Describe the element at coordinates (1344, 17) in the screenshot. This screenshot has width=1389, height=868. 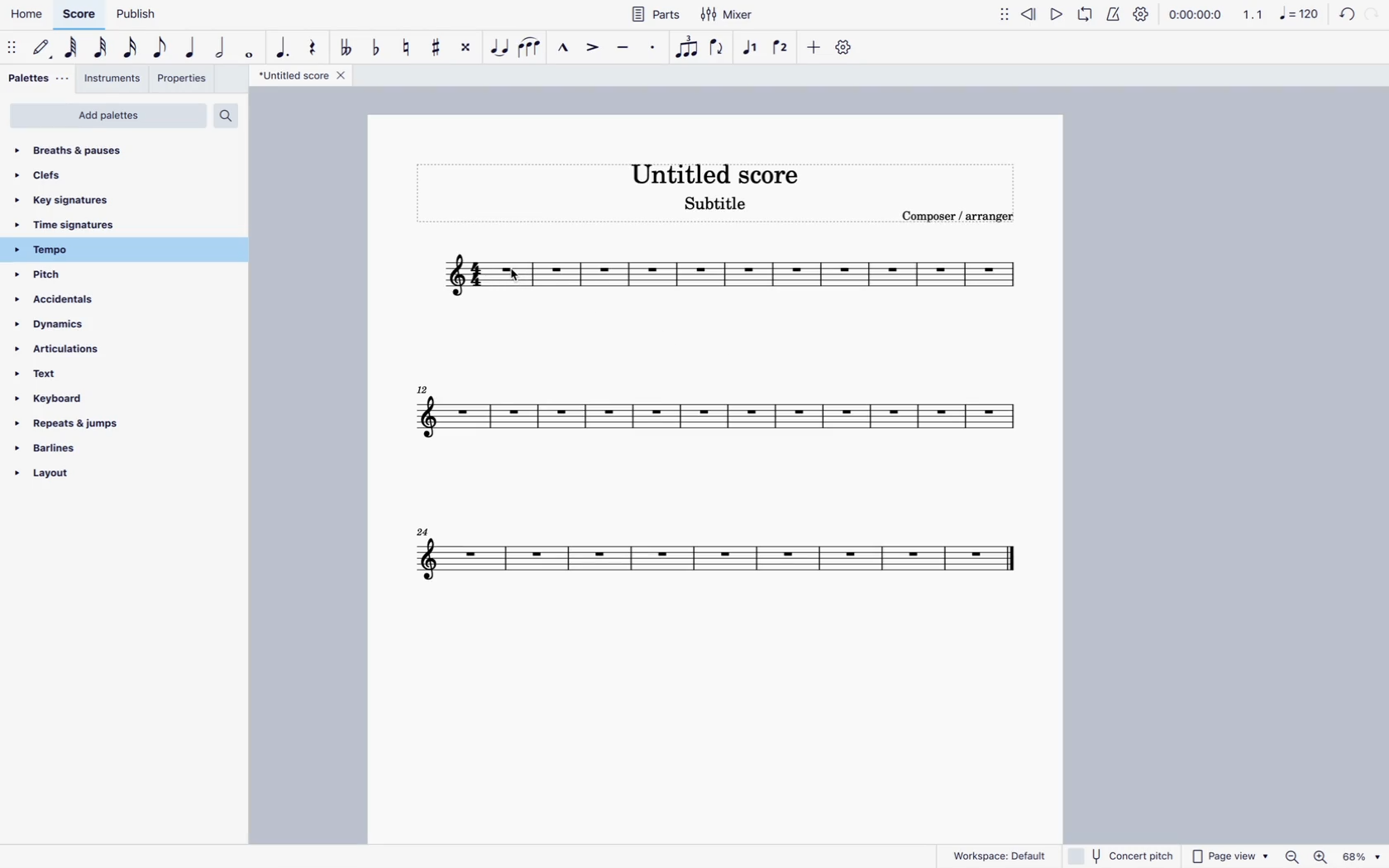
I see `back` at that location.